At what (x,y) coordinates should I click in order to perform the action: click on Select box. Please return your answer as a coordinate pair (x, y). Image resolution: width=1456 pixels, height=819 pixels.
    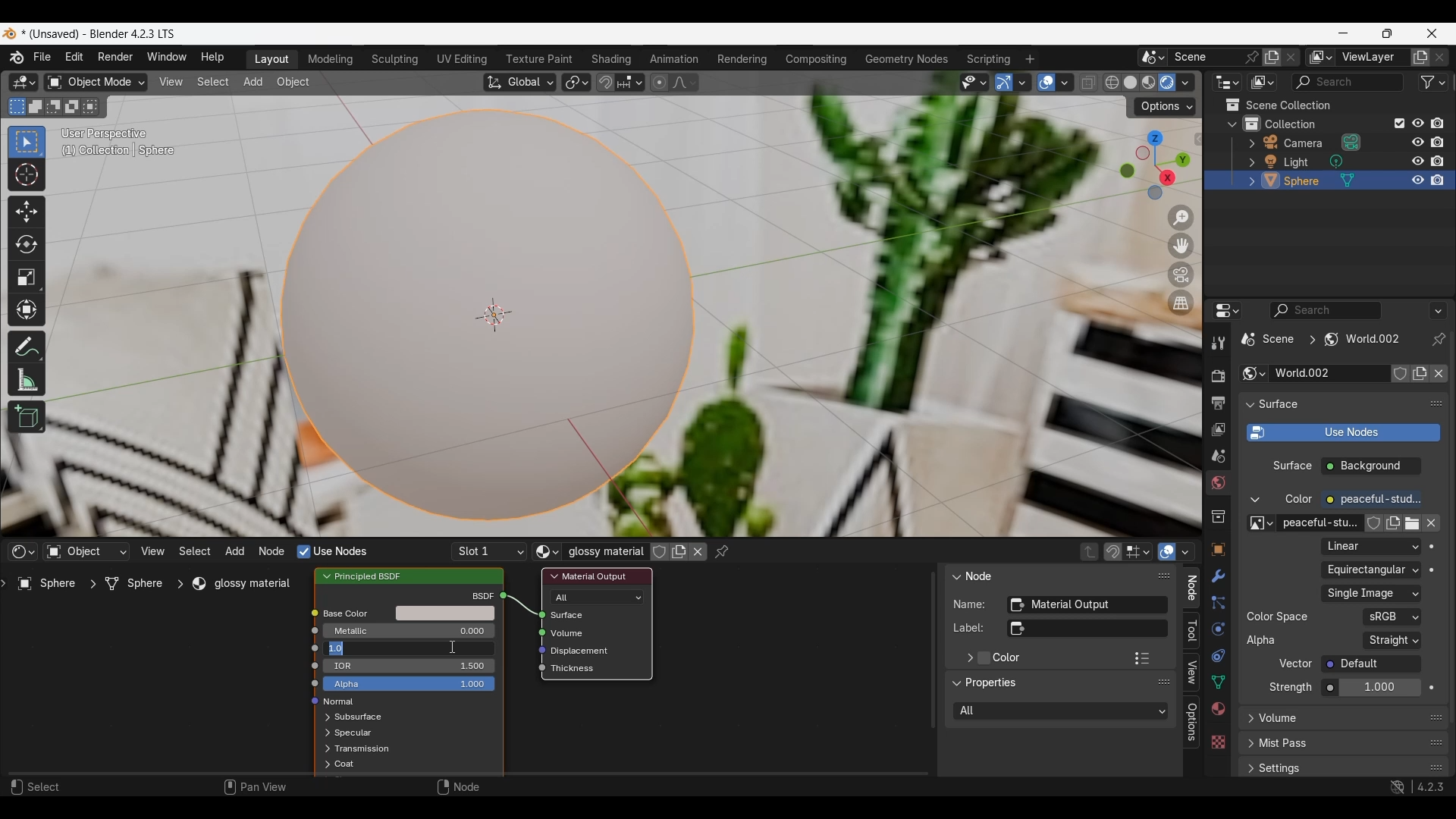
    Looking at the image, I should click on (27, 143).